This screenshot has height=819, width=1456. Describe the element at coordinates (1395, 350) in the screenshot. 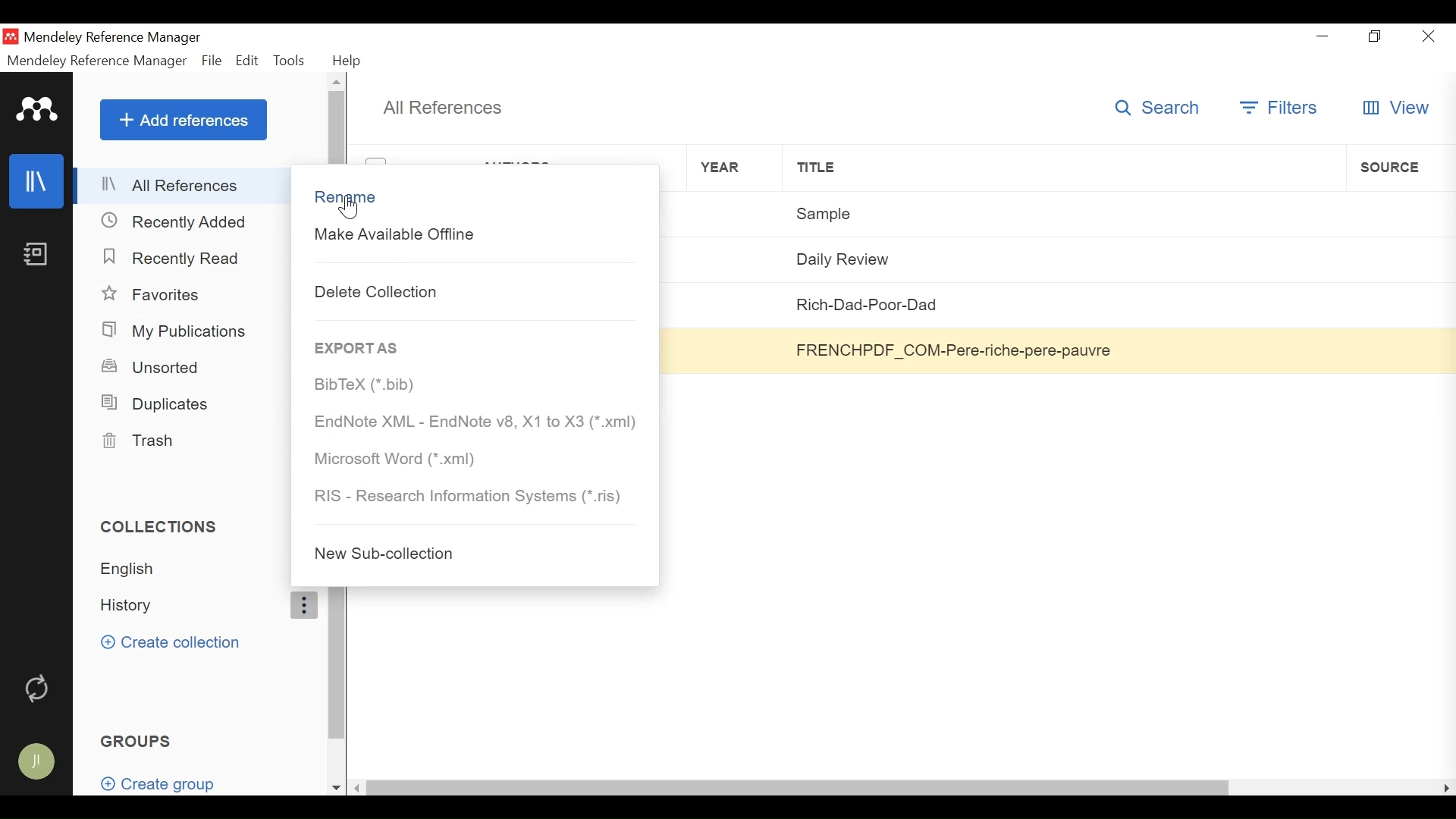

I see `Source` at that location.